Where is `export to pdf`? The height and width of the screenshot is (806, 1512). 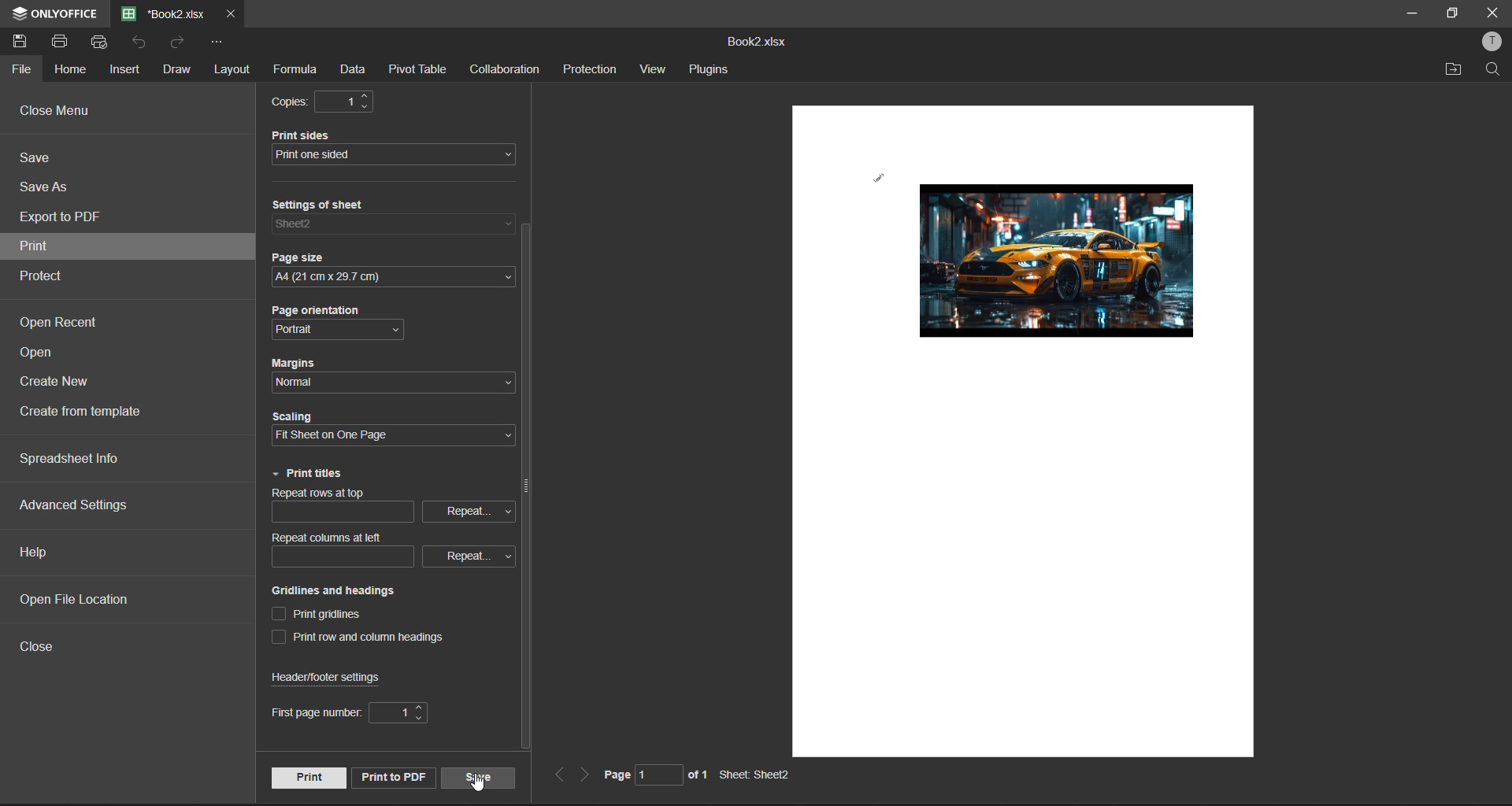 export to pdf is located at coordinates (65, 219).